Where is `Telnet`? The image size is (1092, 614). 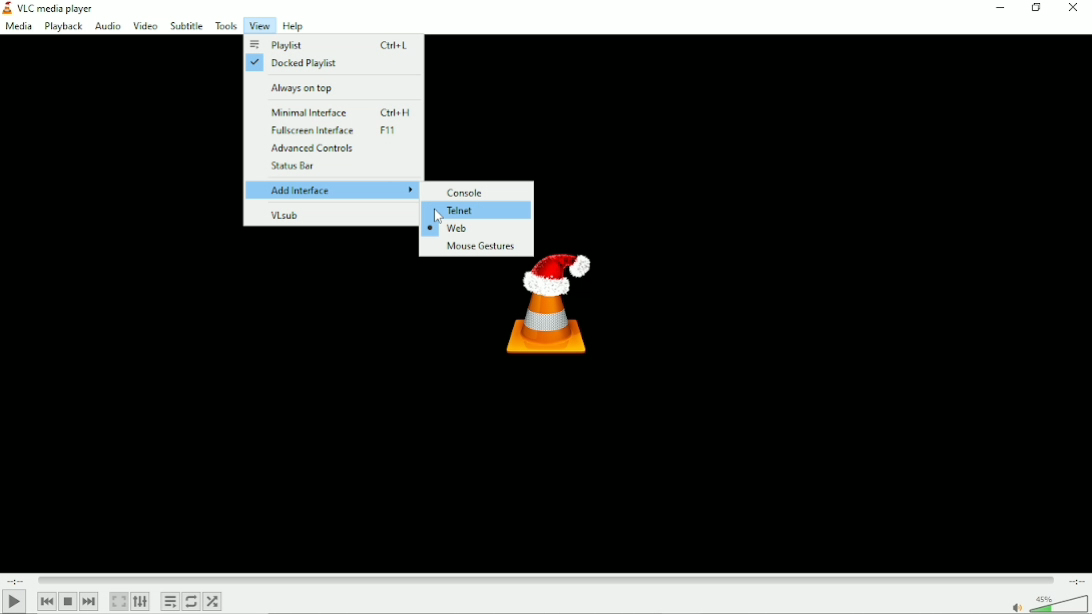 Telnet is located at coordinates (465, 211).